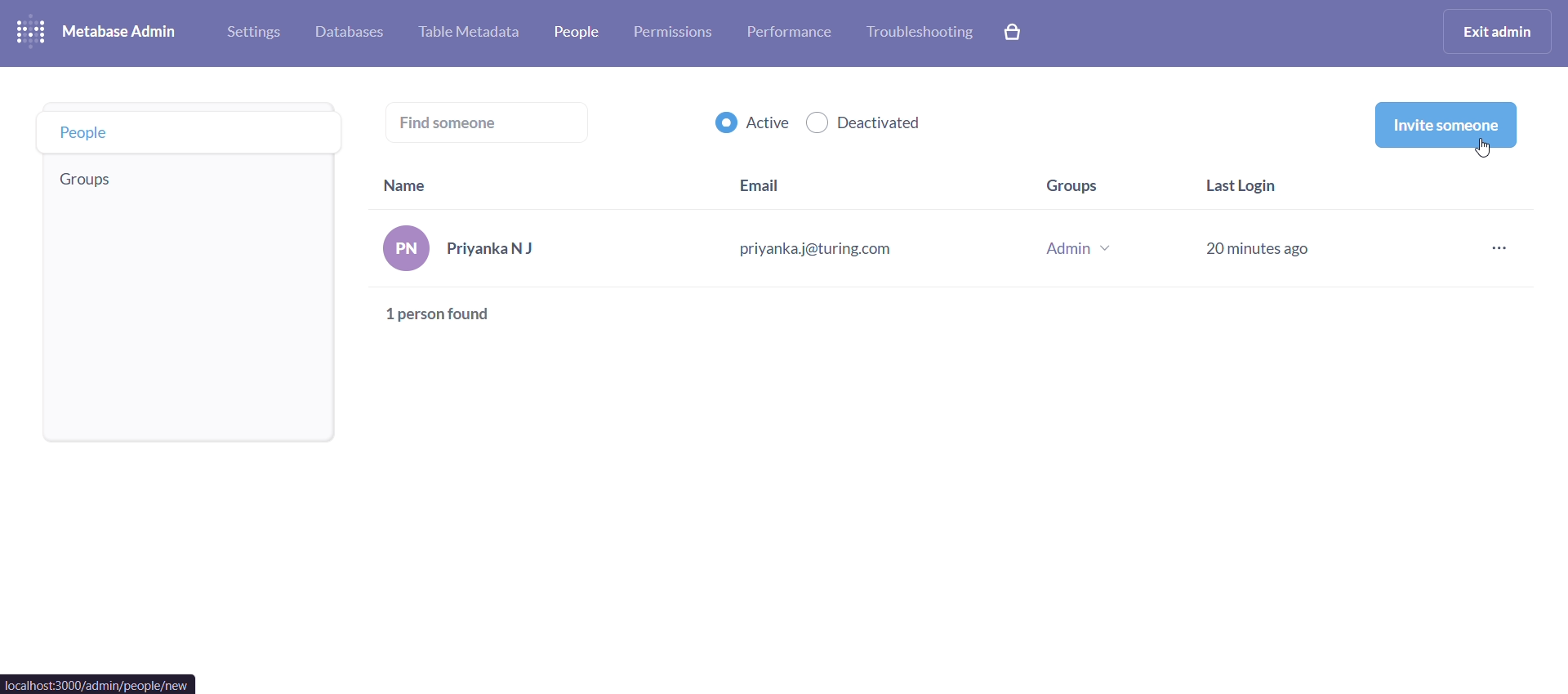  I want to click on groups, so click(1078, 185).